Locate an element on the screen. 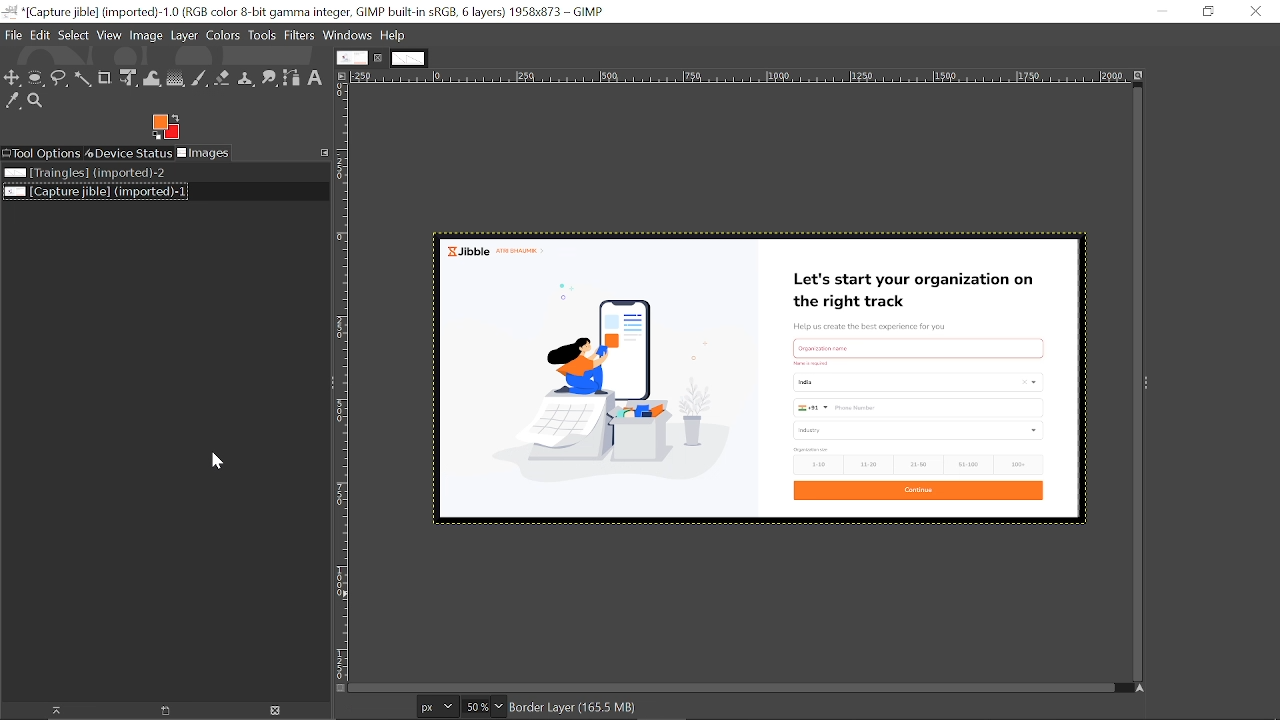  Raise the image display is located at coordinates (166, 711).